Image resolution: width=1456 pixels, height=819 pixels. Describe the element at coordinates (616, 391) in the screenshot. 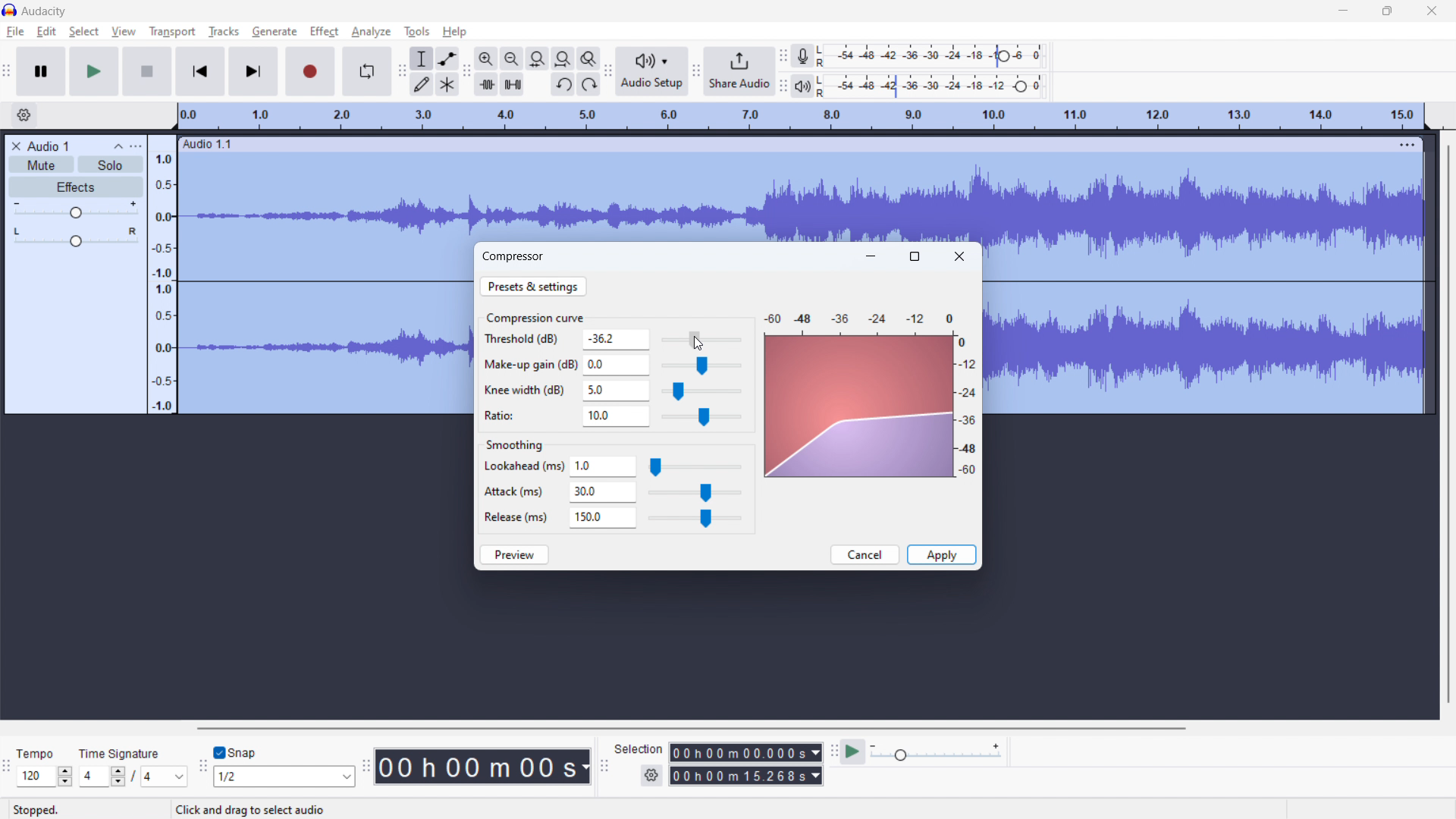

I see `5.0` at that location.